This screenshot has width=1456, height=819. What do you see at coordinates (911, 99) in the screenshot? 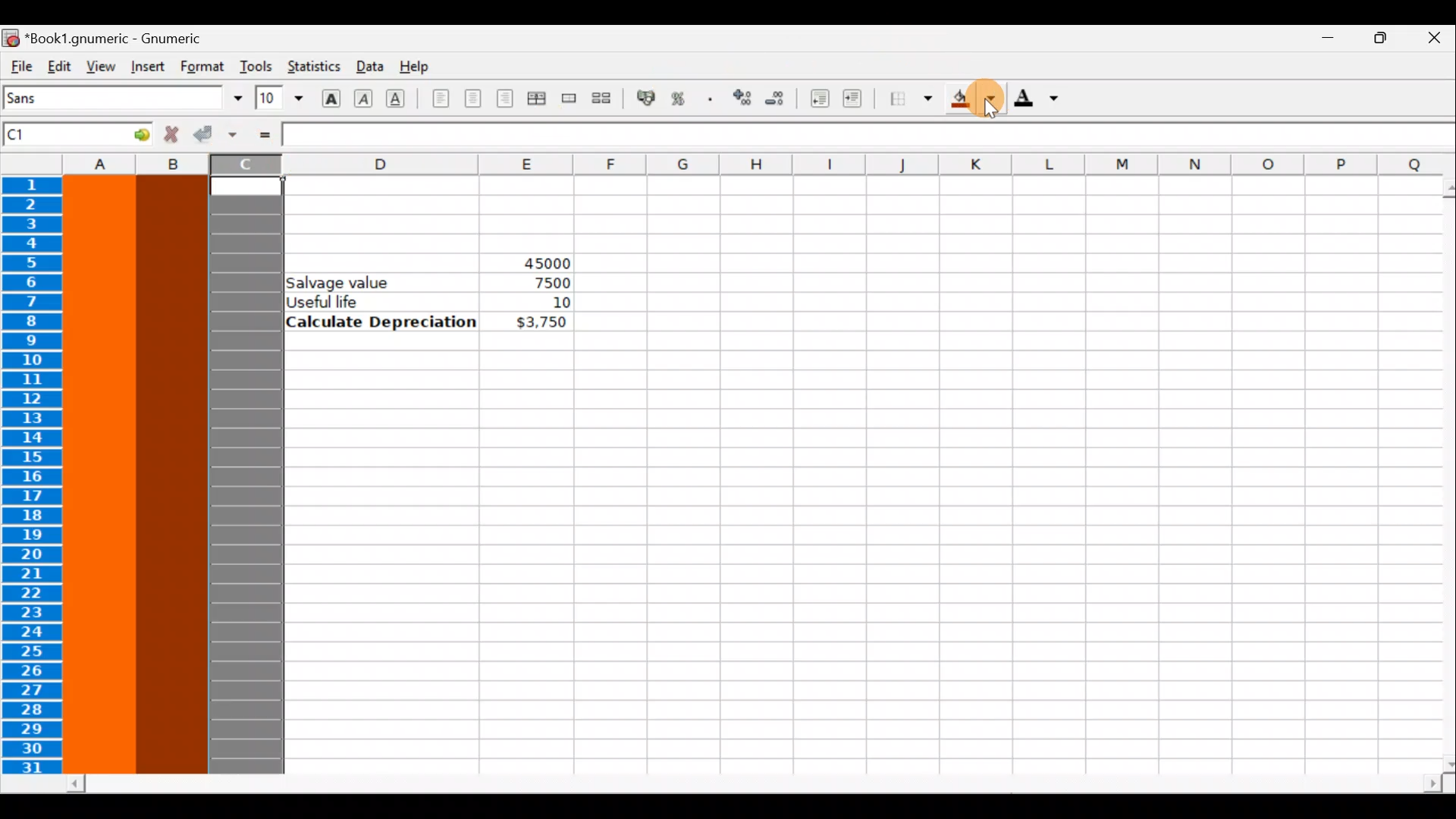
I see `Borders` at bounding box center [911, 99].